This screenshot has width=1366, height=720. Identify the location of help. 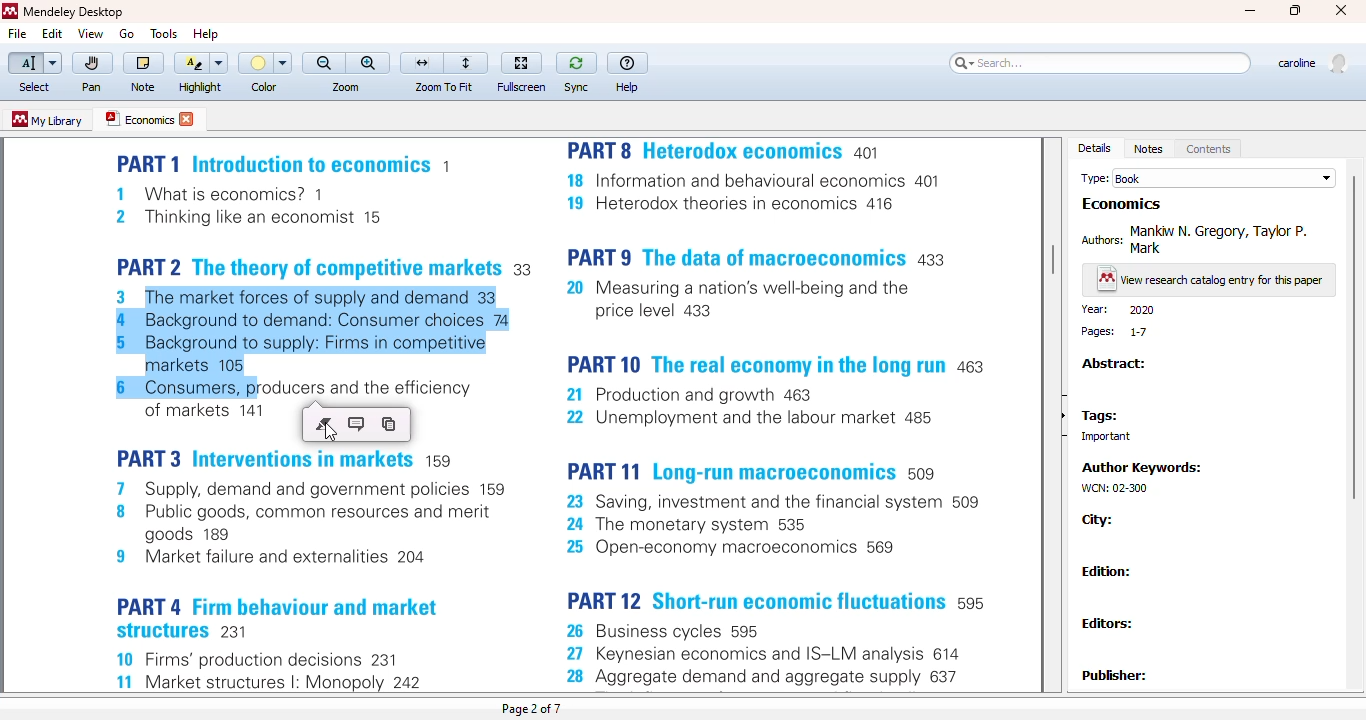
(628, 88).